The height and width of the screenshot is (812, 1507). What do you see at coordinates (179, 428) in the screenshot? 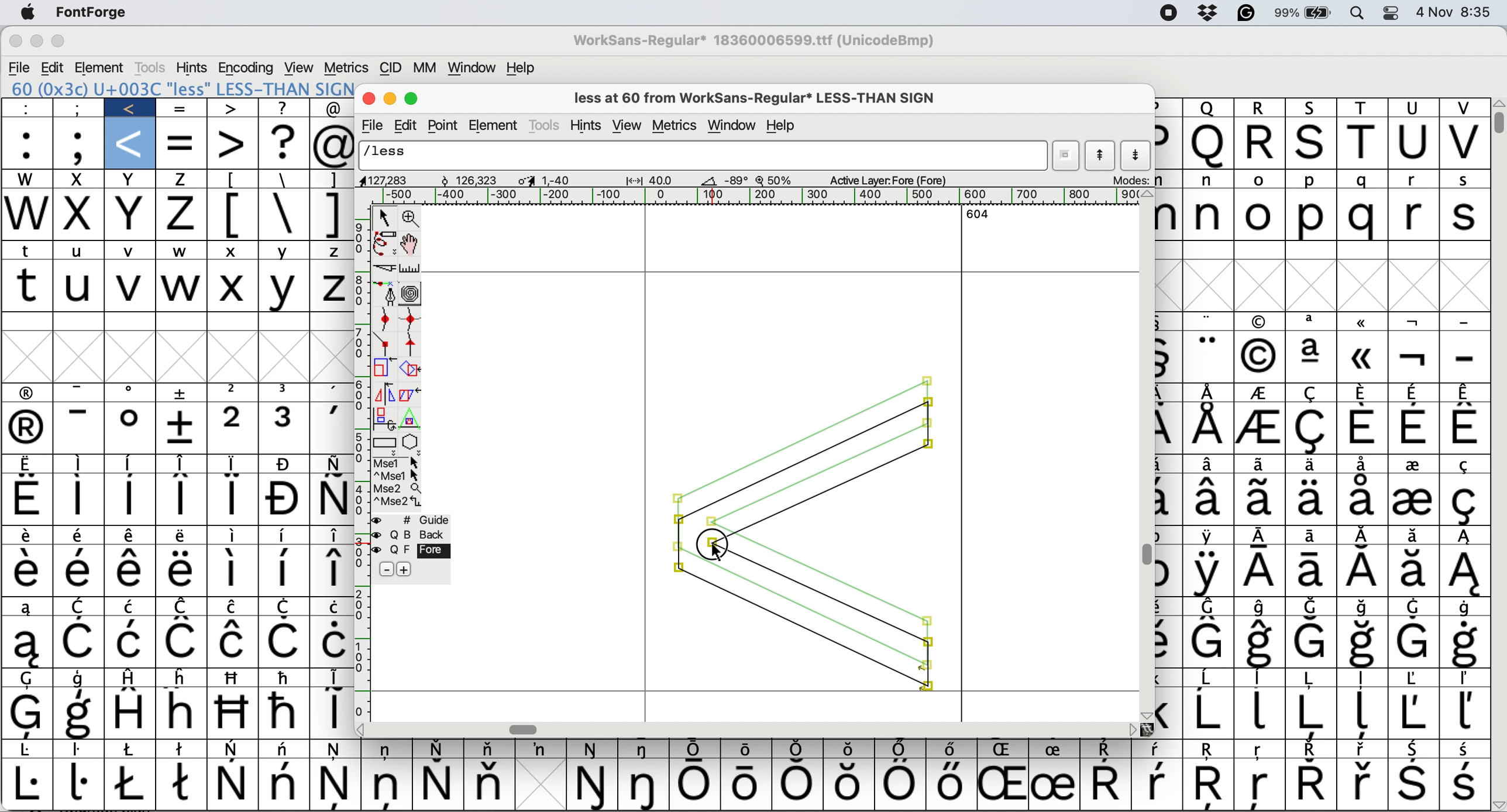
I see `Symbol` at bounding box center [179, 428].